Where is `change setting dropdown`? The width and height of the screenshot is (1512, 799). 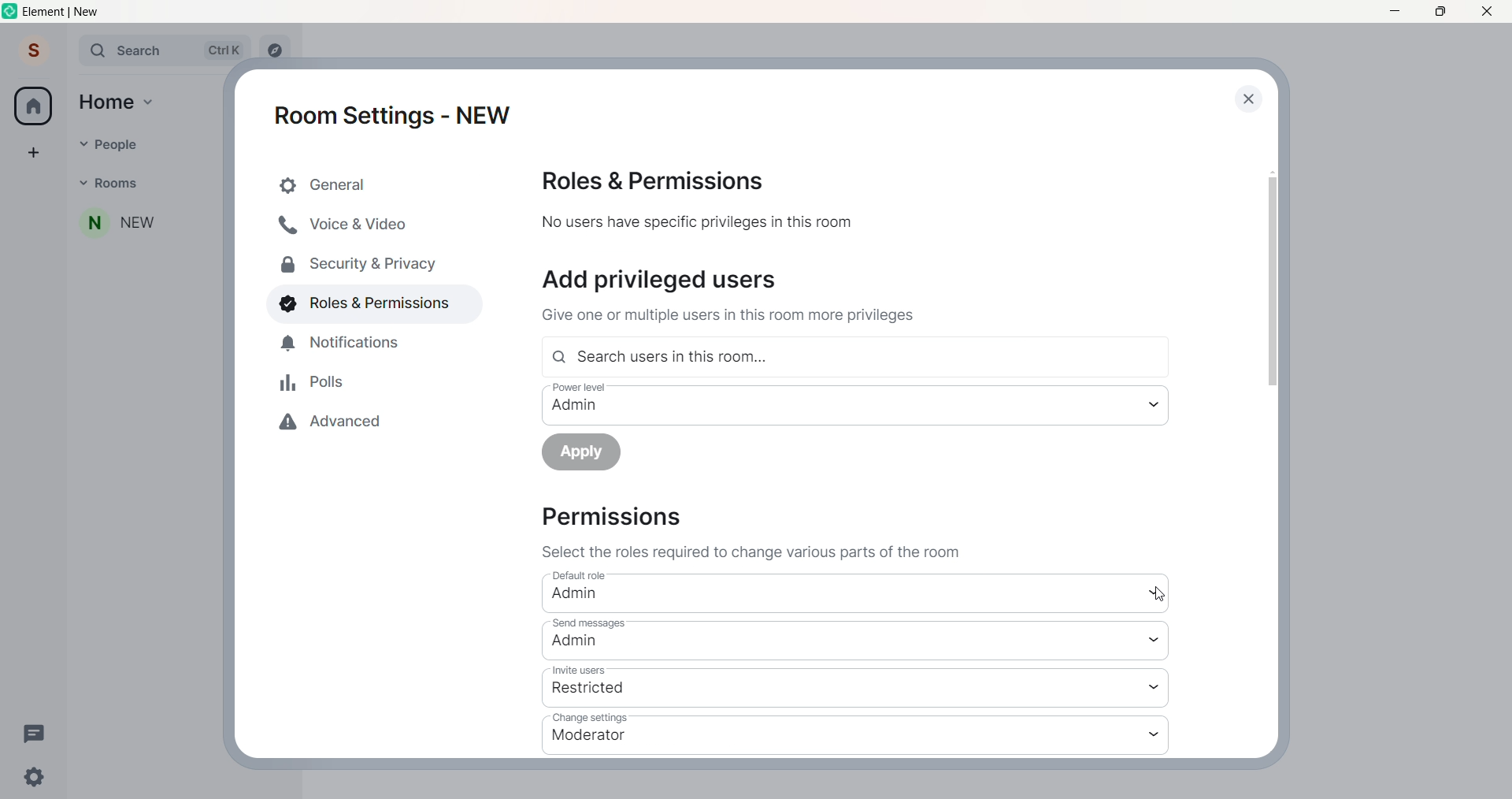 change setting dropdown is located at coordinates (1162, 734).